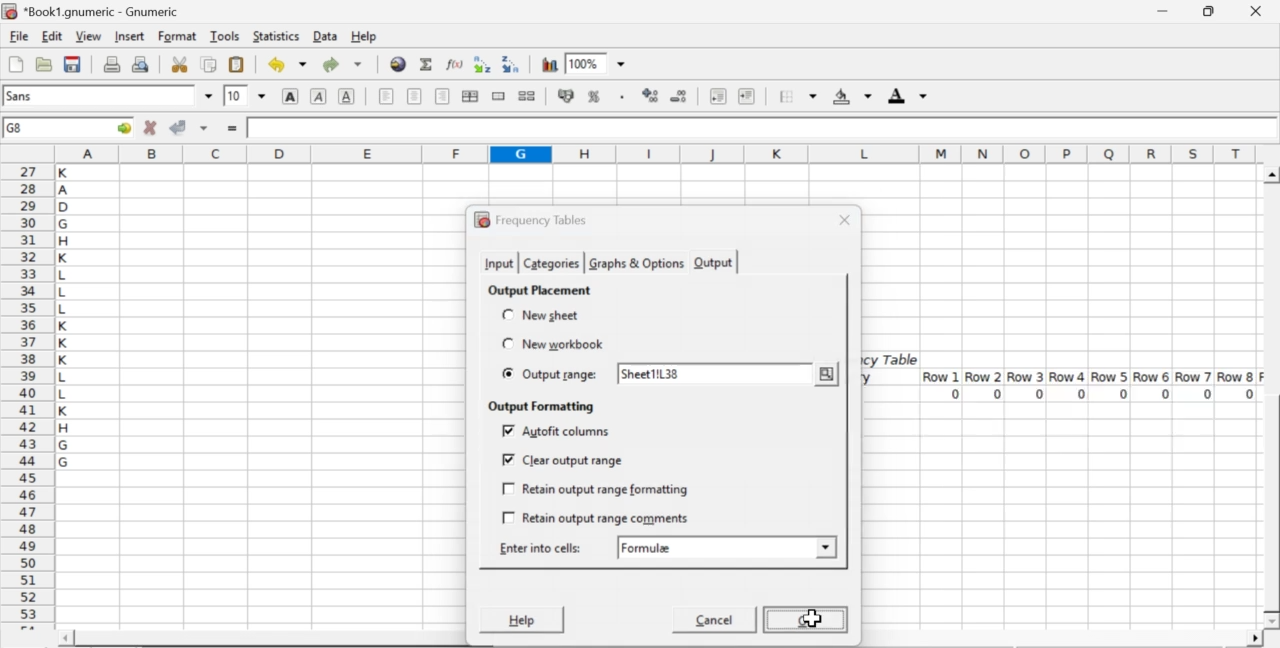 This screenshot has width=1280, height=648. Describe the element at coordinates (238, 65) in the screenshot. I see `paste` at that location.